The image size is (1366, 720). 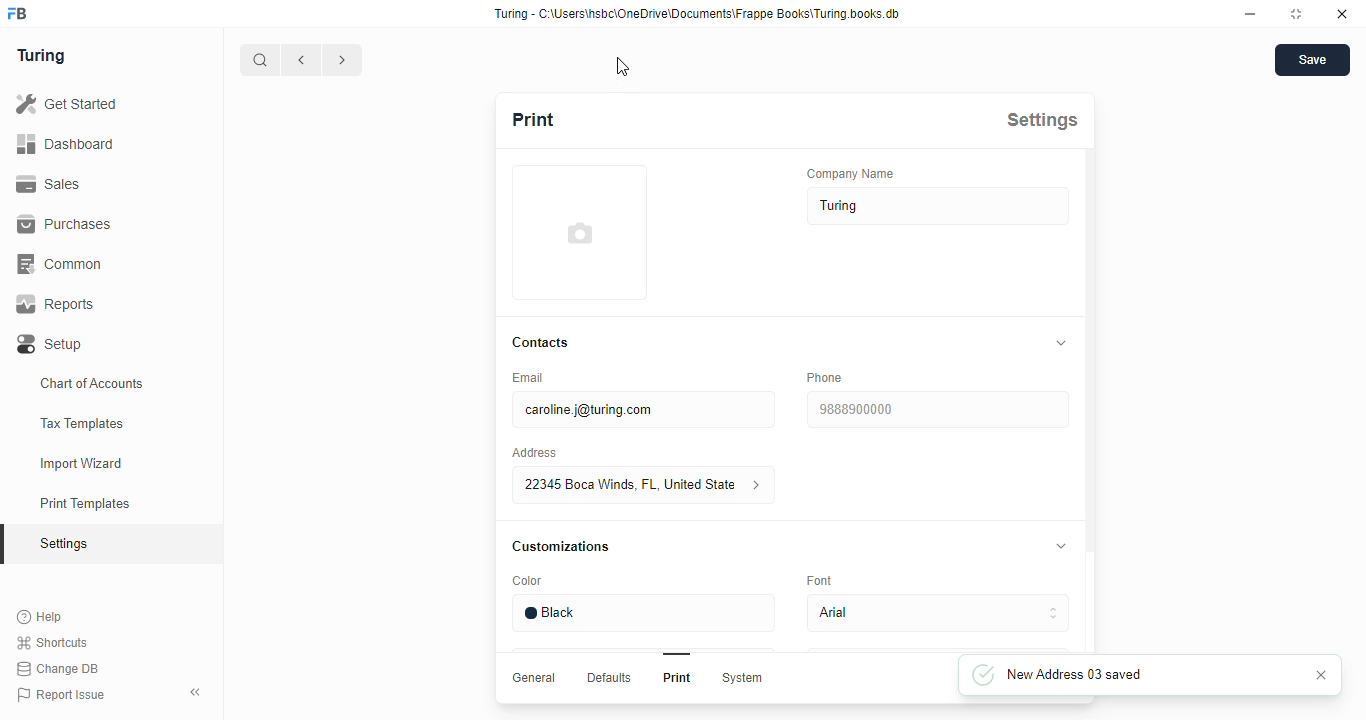 I want to click on new address 03 saved, so click(x=1081, y=675).